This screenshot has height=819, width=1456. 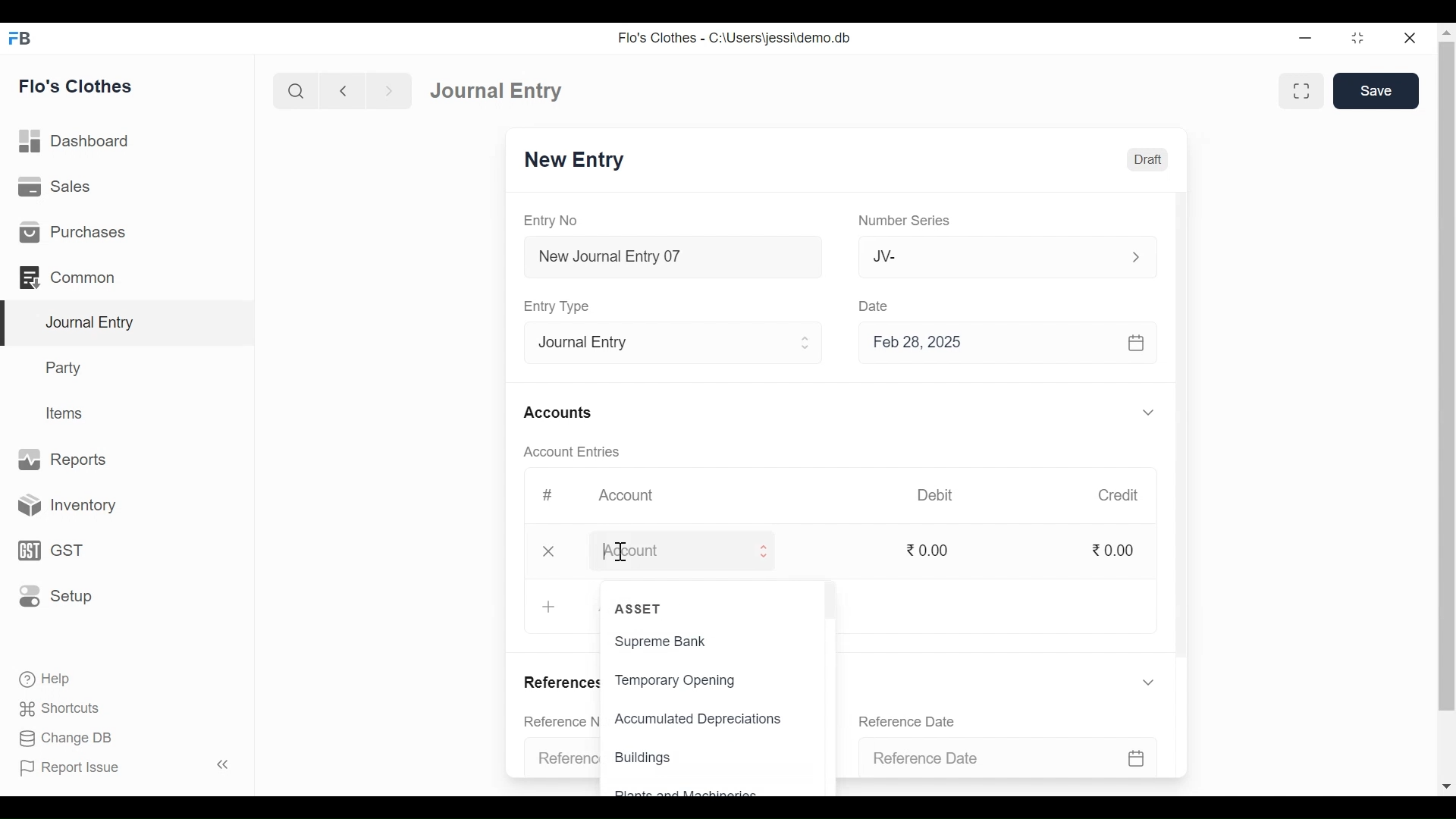 I want to click on Supreme Bank, so click(x=664, y=642).